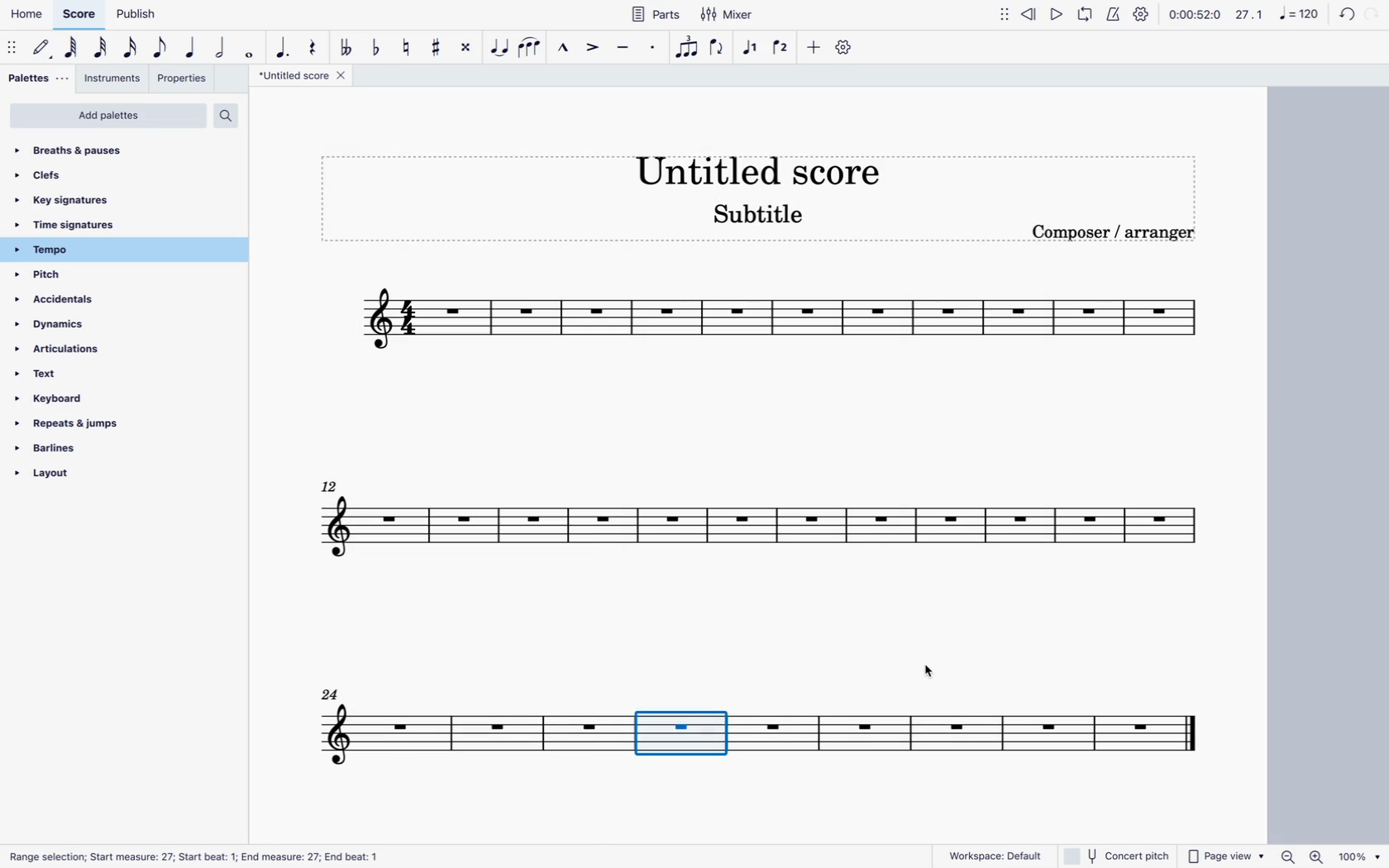 The height and width of the screenshot is (868, 1389). What do you see at coordinates (625, 45) in the screenshot?
I see `tenuto` at bounding box center [625, 45].